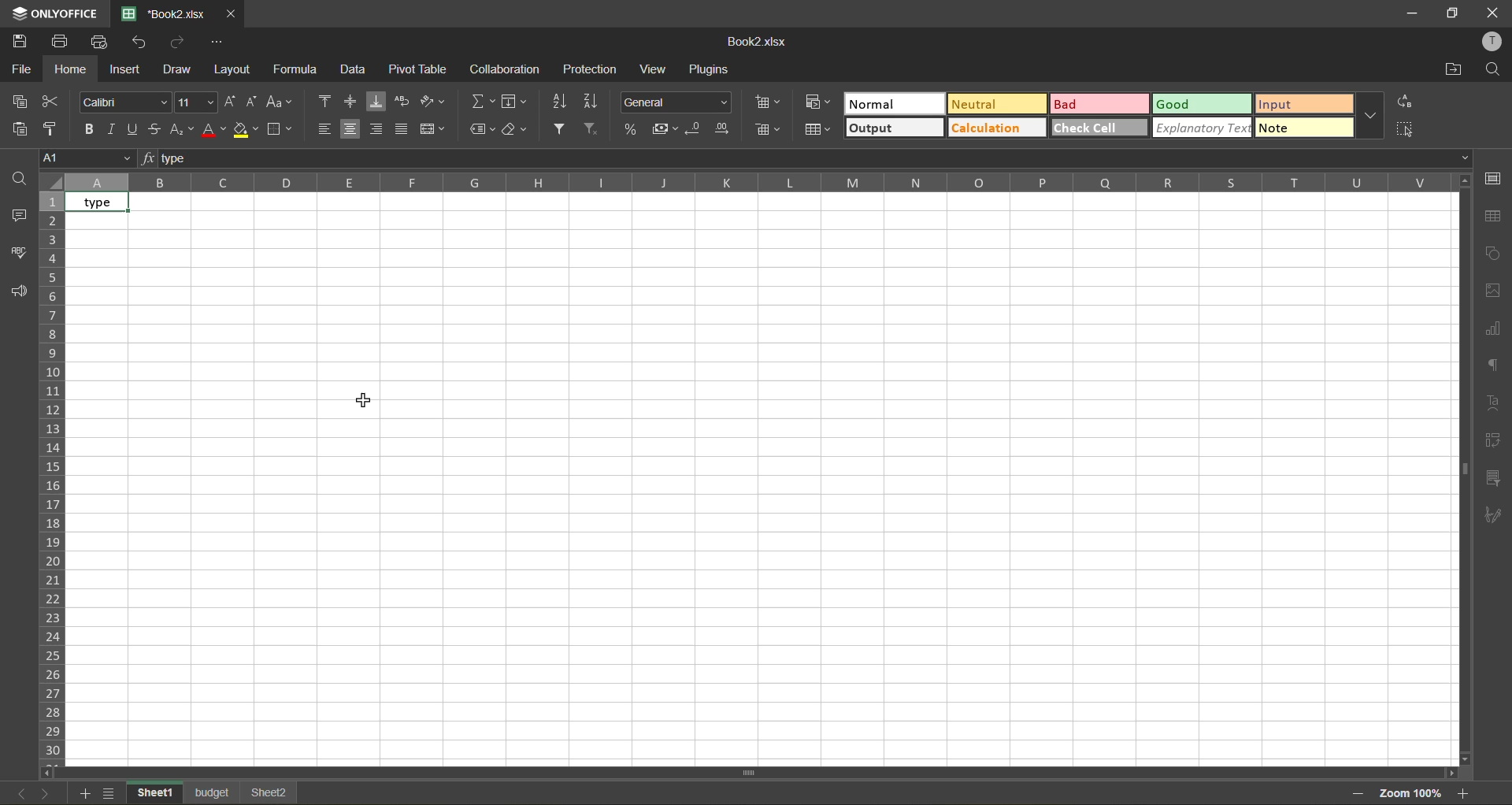  Describe the element at coordinates (818, 131) in the screenshot. I see `format as table` at that location.